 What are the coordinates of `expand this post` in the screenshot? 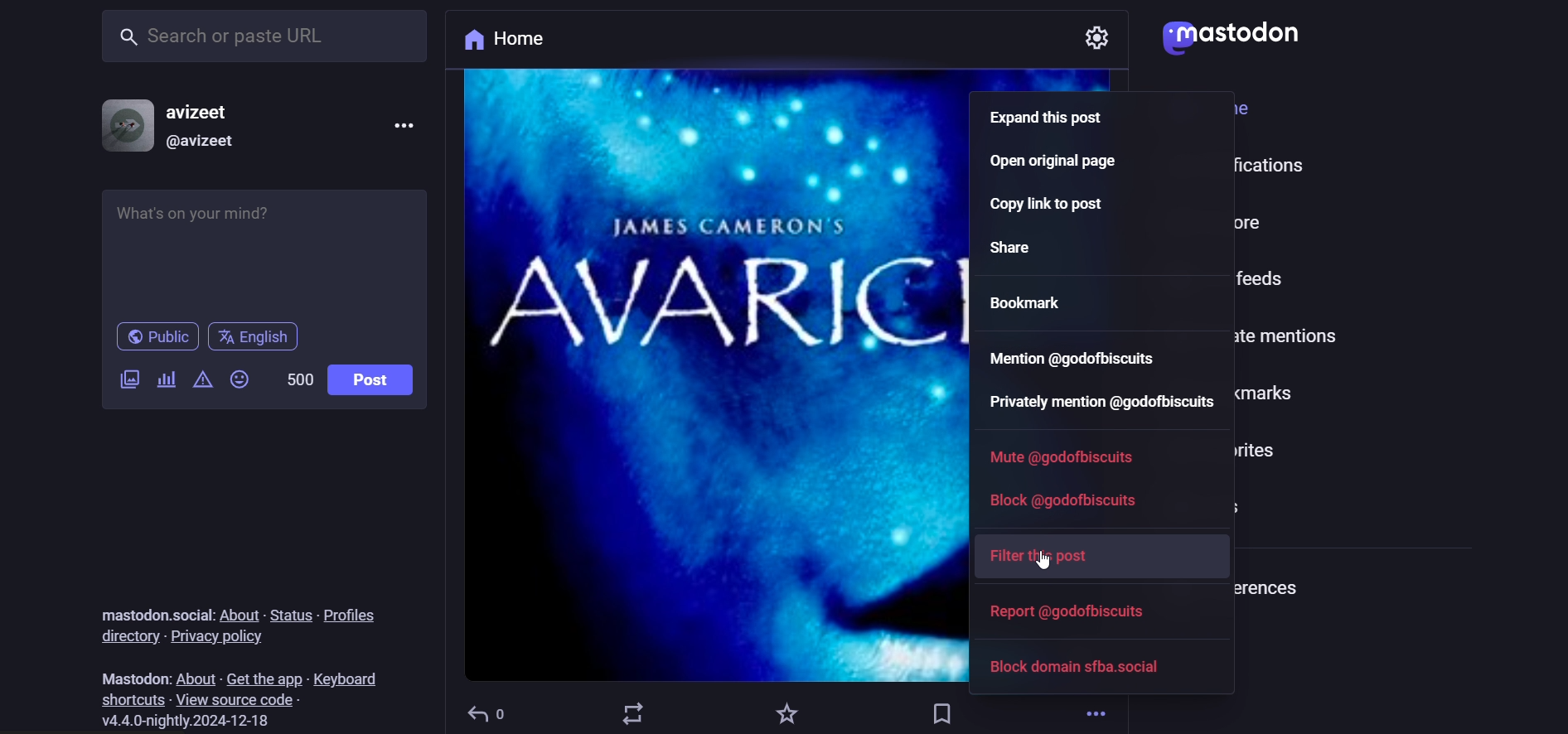 It's located at (1048, 118).